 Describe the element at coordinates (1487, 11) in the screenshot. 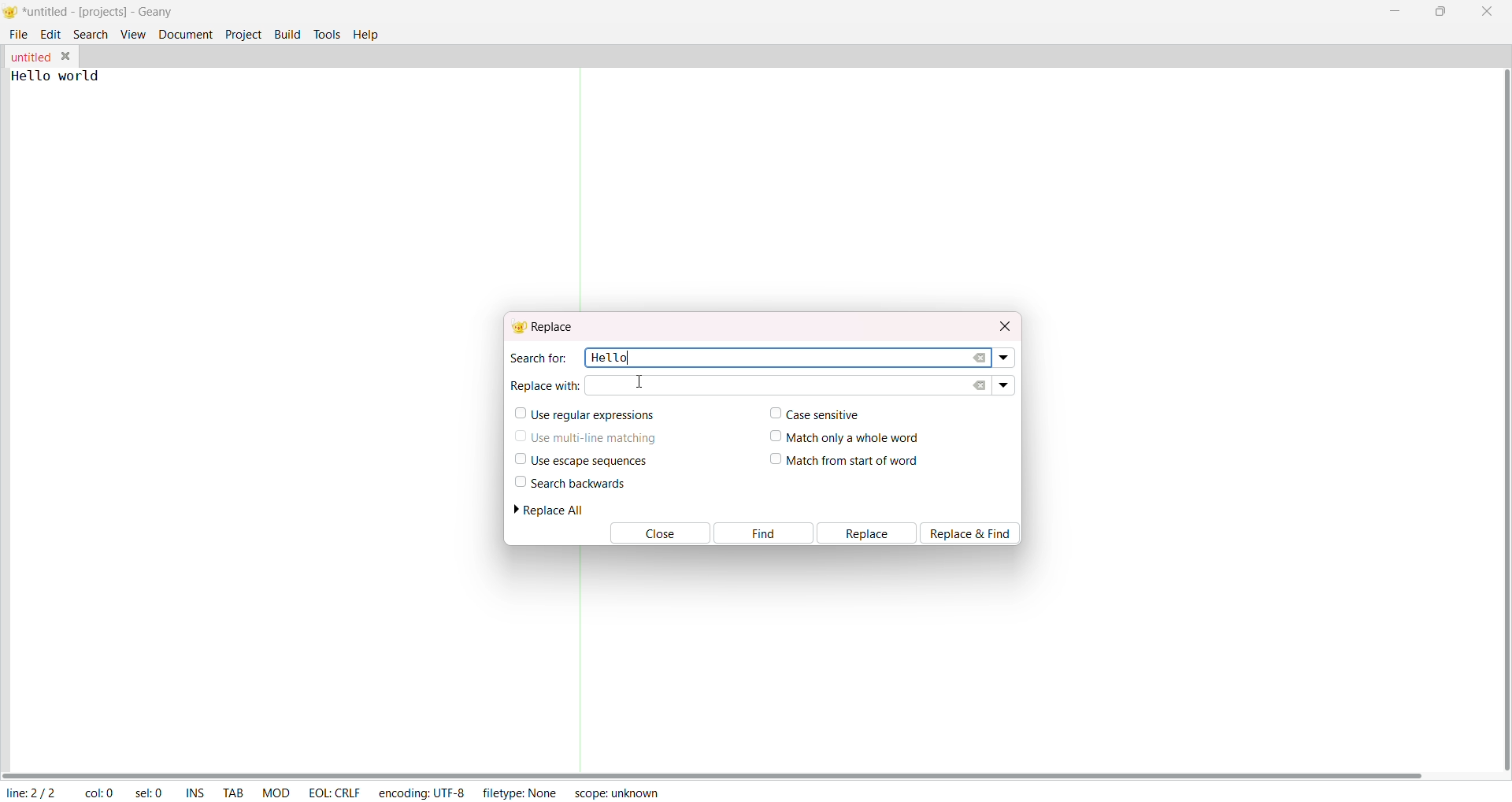

I see `close` at that location.